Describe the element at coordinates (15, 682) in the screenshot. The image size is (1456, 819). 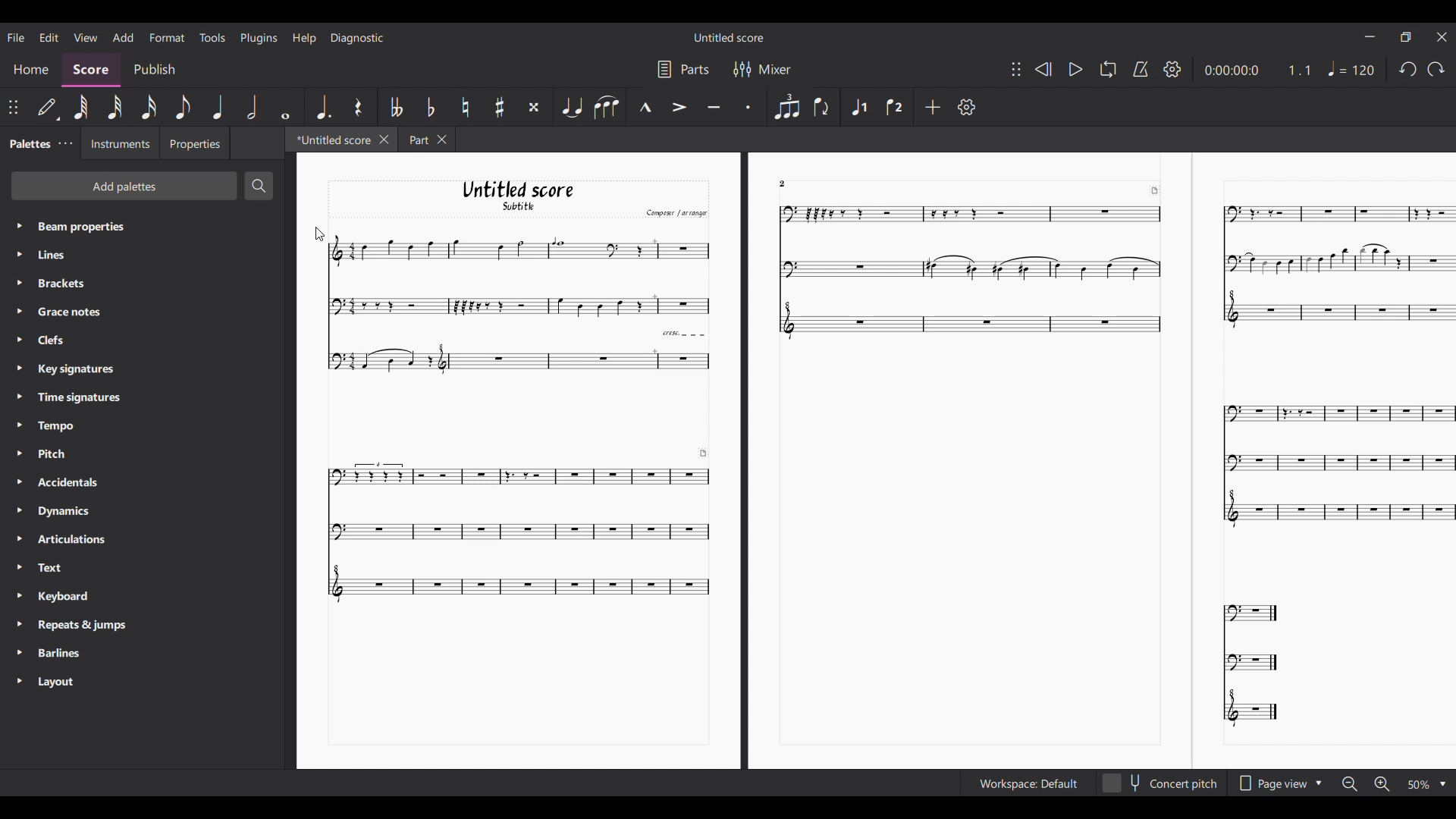
I see `` at that location.